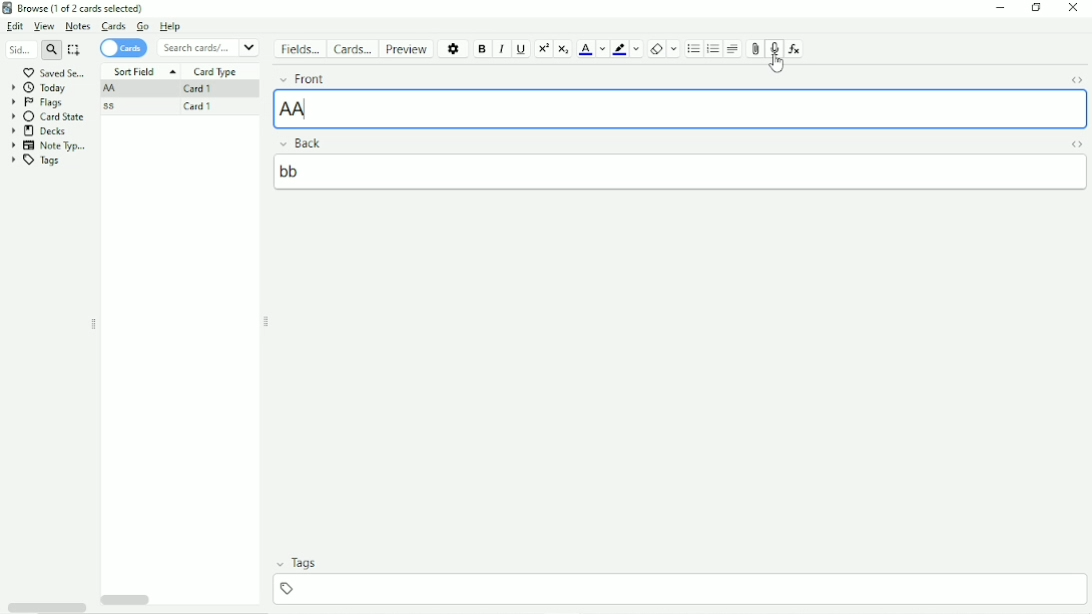  What do you see at coordinates (1074, 80) in the screenshot?
I see `Toggle HTML Editor` at bounding box center [1074, 80].